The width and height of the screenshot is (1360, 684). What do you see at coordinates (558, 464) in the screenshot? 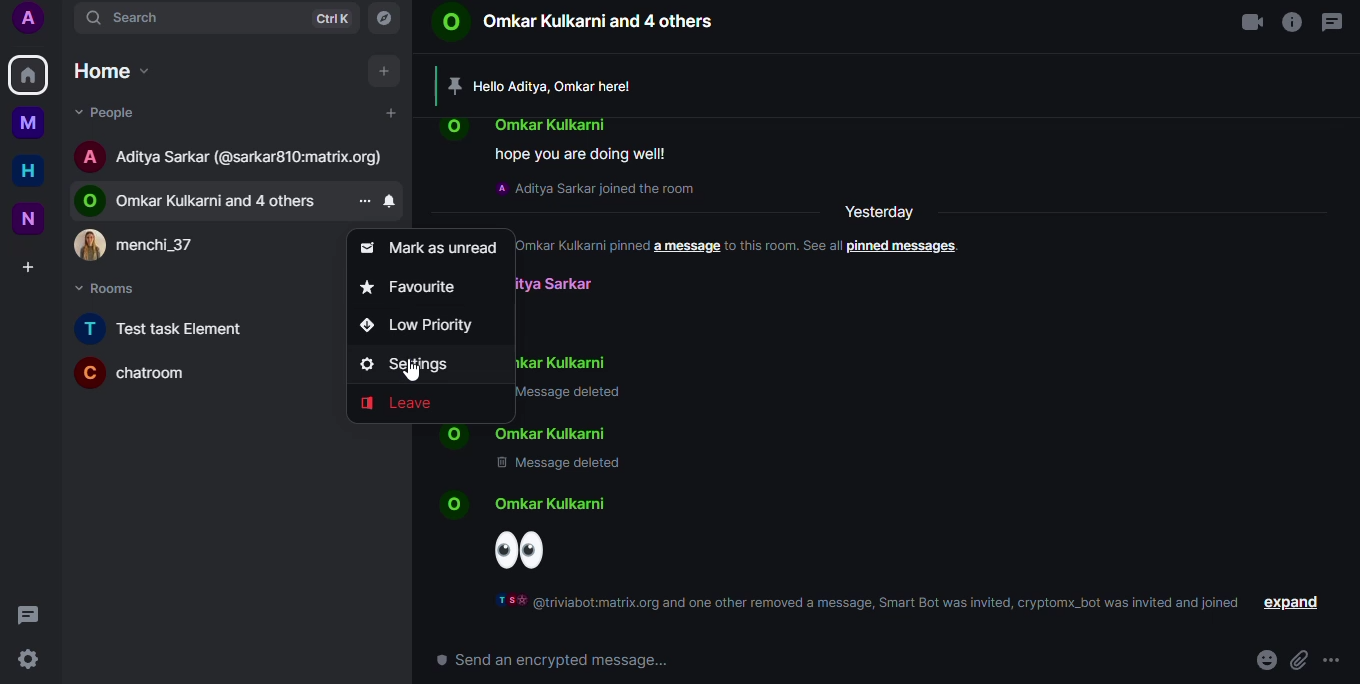
I see `message deleted` at bounding box center [558, 464].